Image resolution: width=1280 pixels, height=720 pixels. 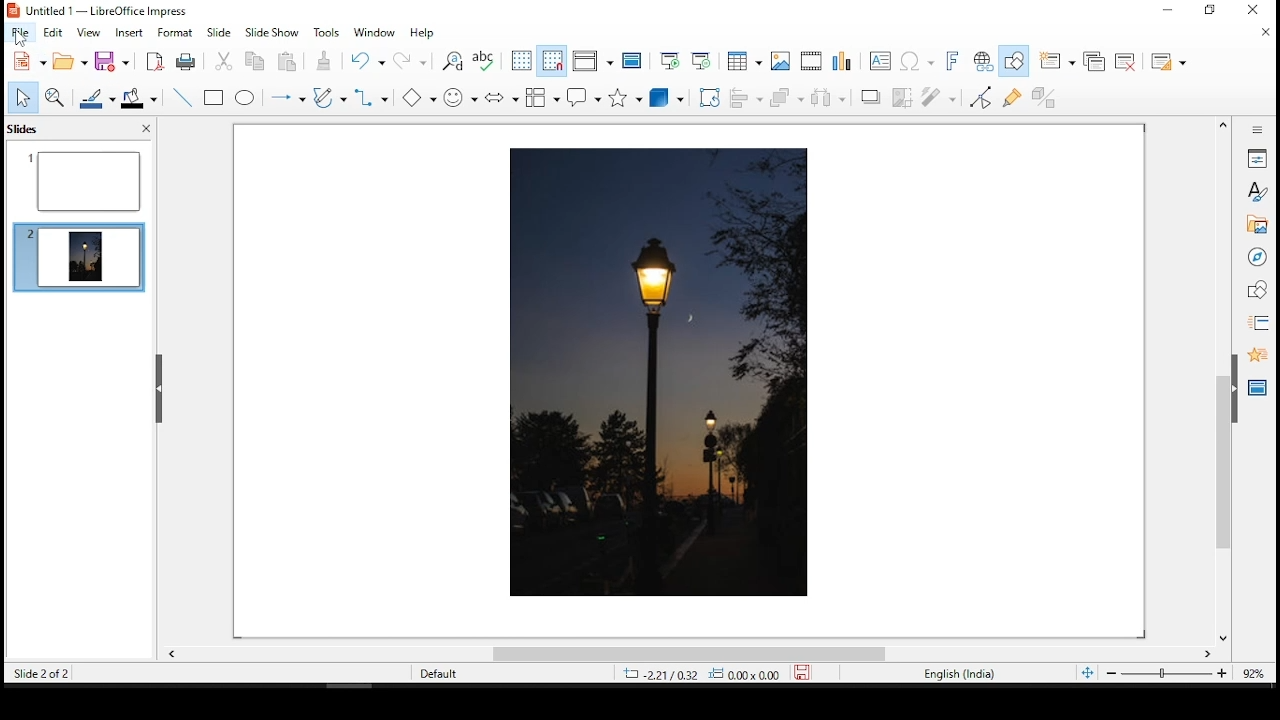 What do you see at coordinates (89, 33) in the screenshot?
I see `view` at bounding box center [89, 33].